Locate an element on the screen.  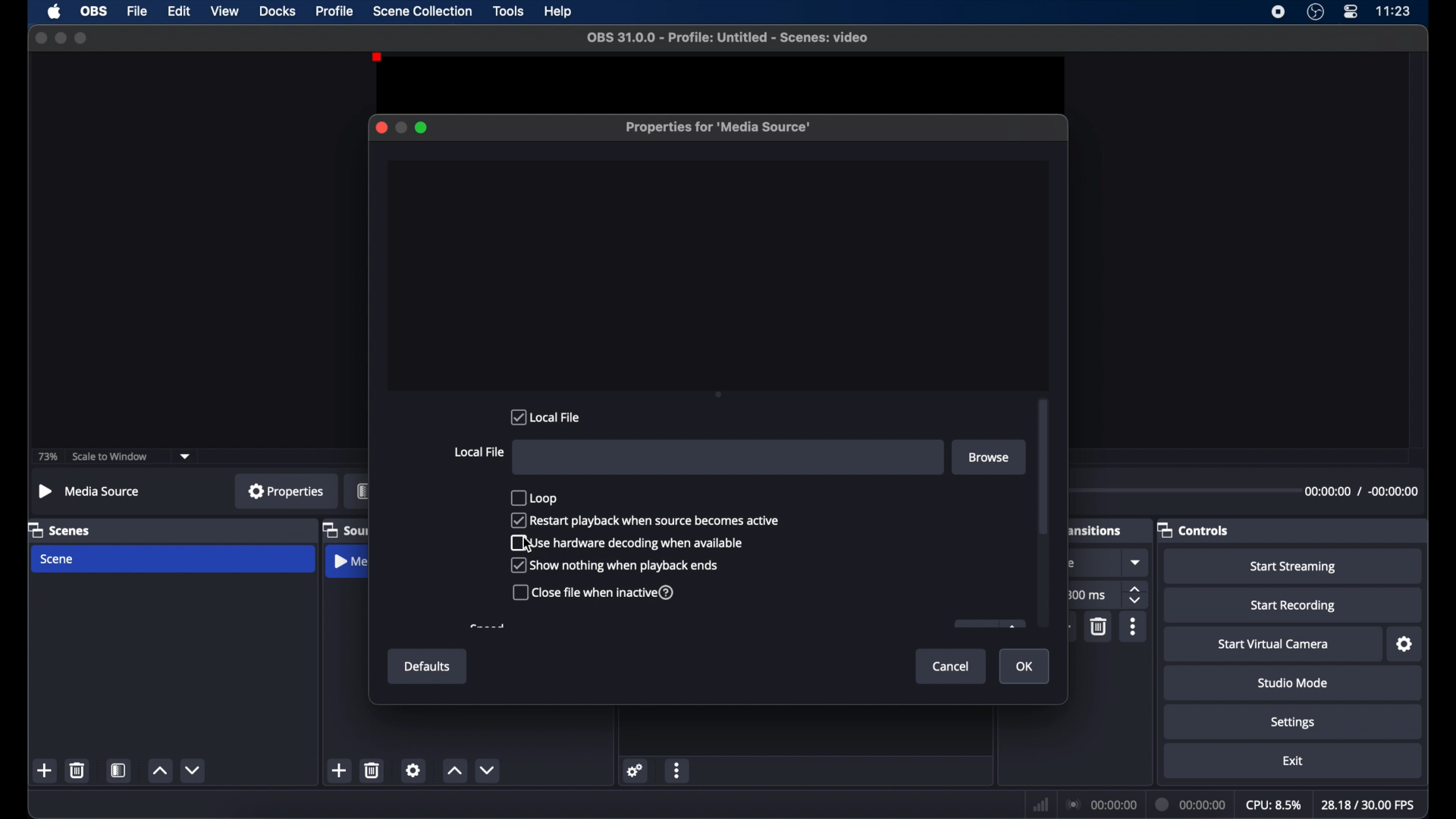
add is located at coordinates (44, 770).